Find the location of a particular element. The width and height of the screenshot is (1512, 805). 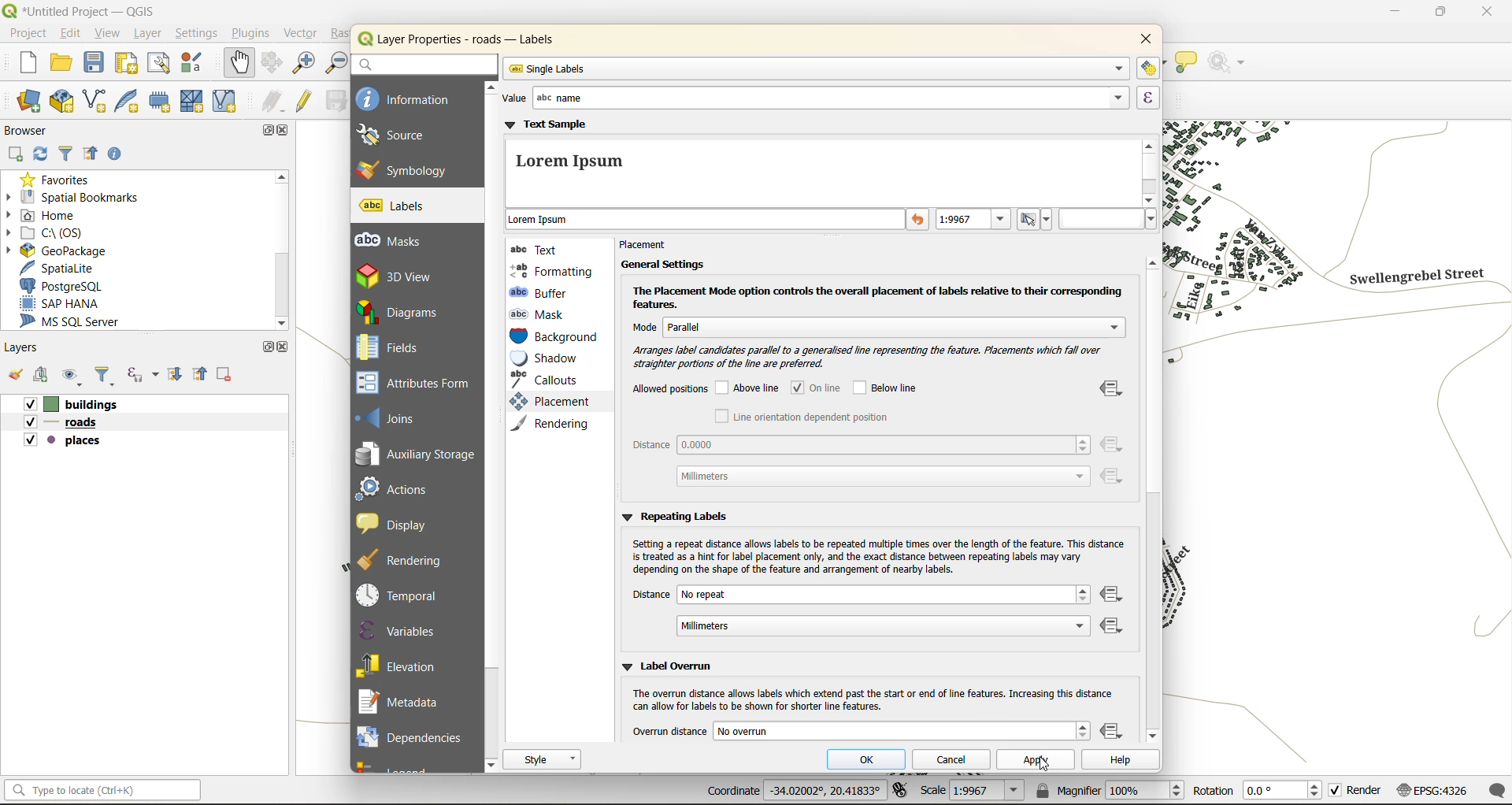

render is located at coordinates (1354, 789).